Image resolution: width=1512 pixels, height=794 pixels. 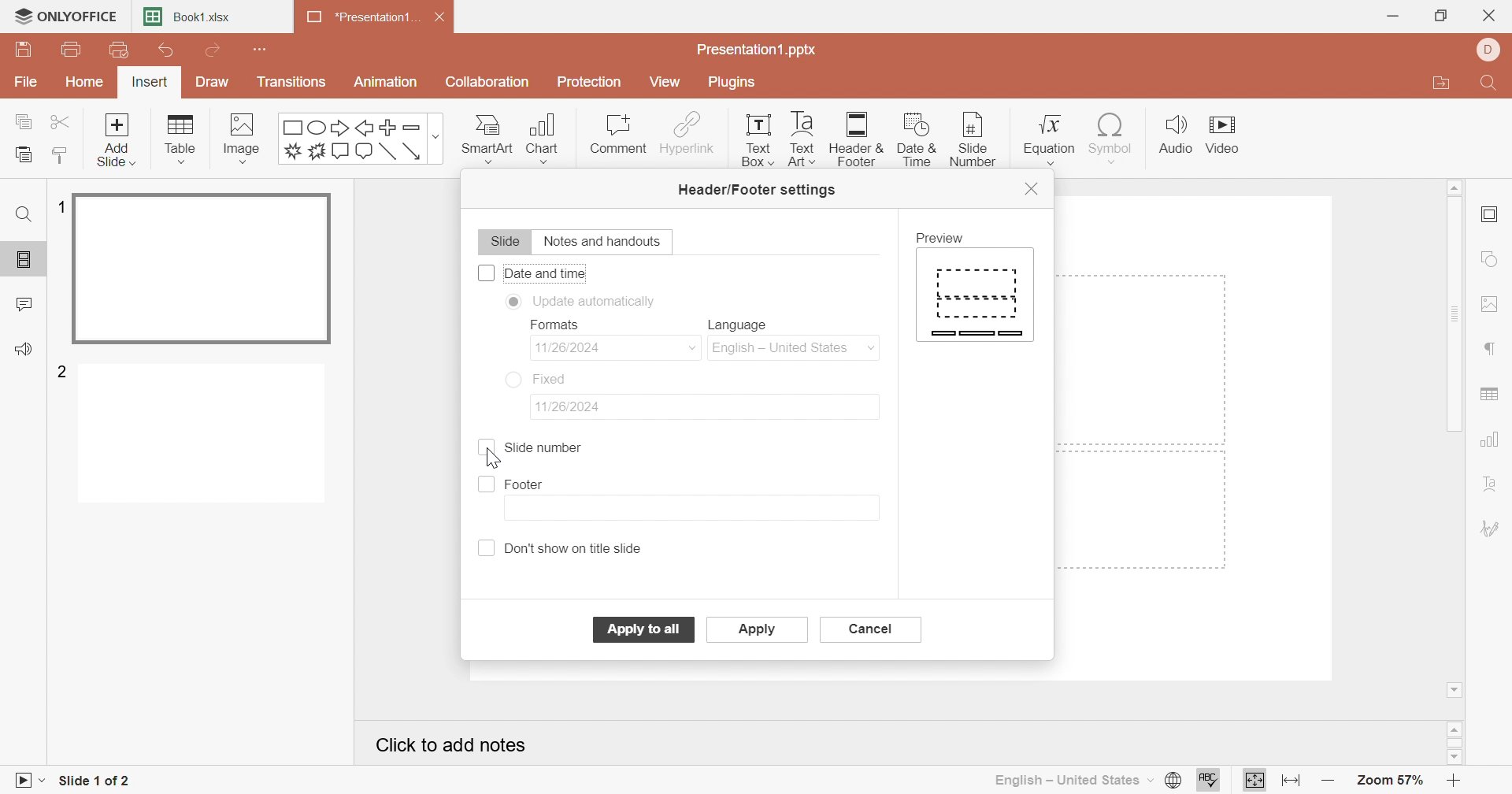 I want to click on Scroll Bar, so click(x=1458, y=743).